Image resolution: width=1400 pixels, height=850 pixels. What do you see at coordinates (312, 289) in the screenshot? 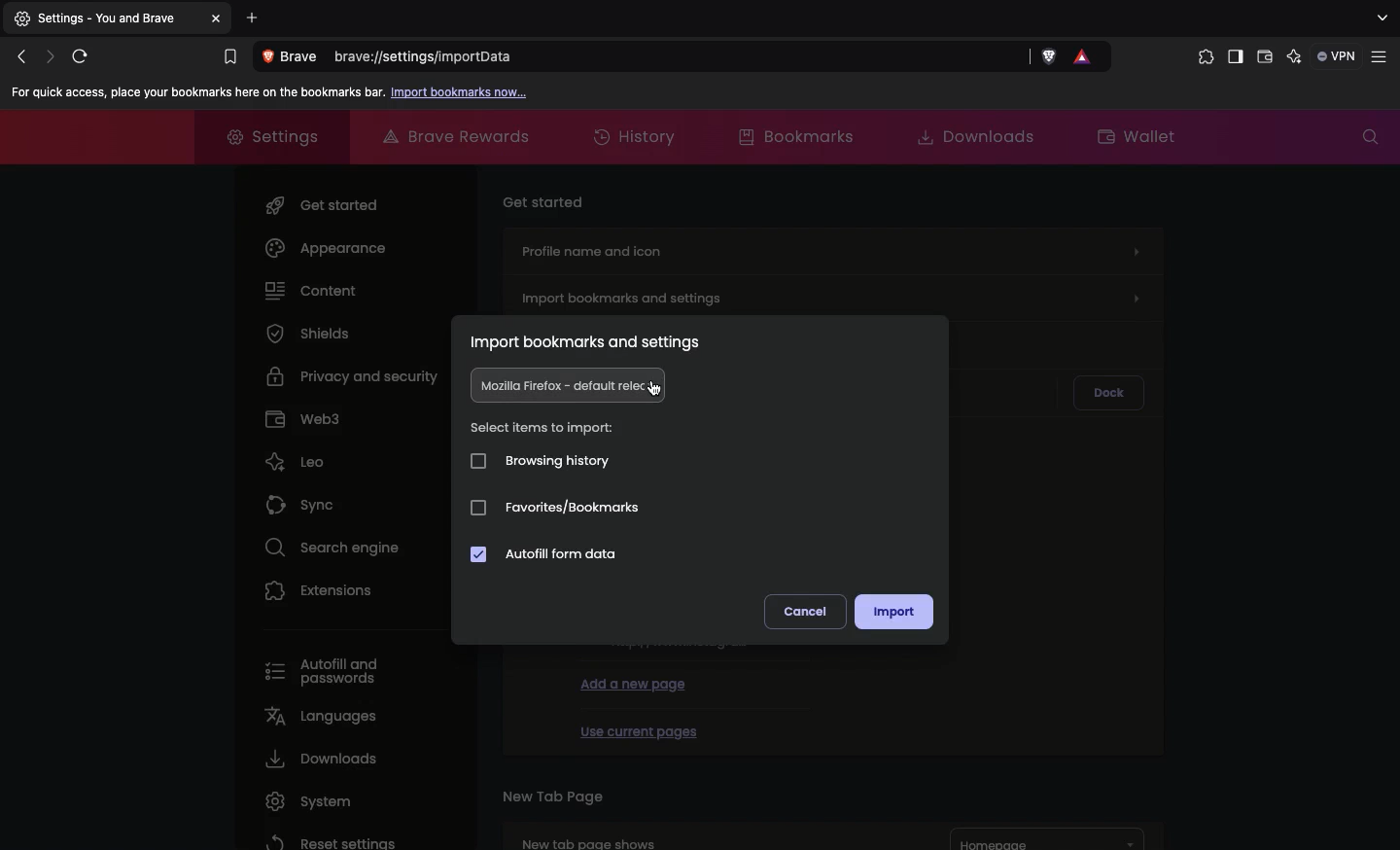
I see `Content` at bounding box center [312, 289].